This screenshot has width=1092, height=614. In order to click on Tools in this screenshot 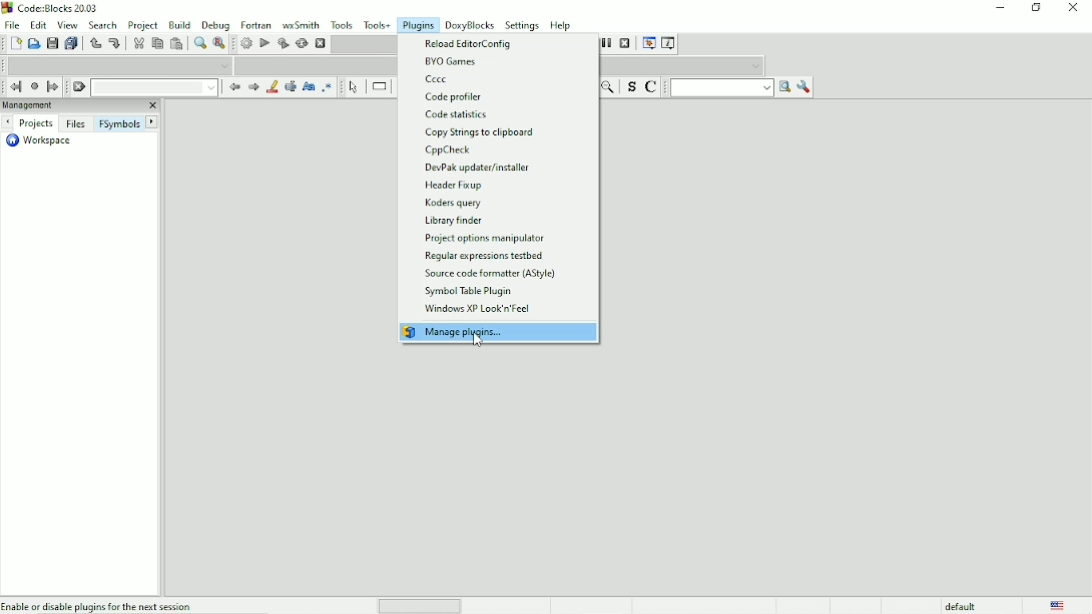, I will do `click(343, 24)`.